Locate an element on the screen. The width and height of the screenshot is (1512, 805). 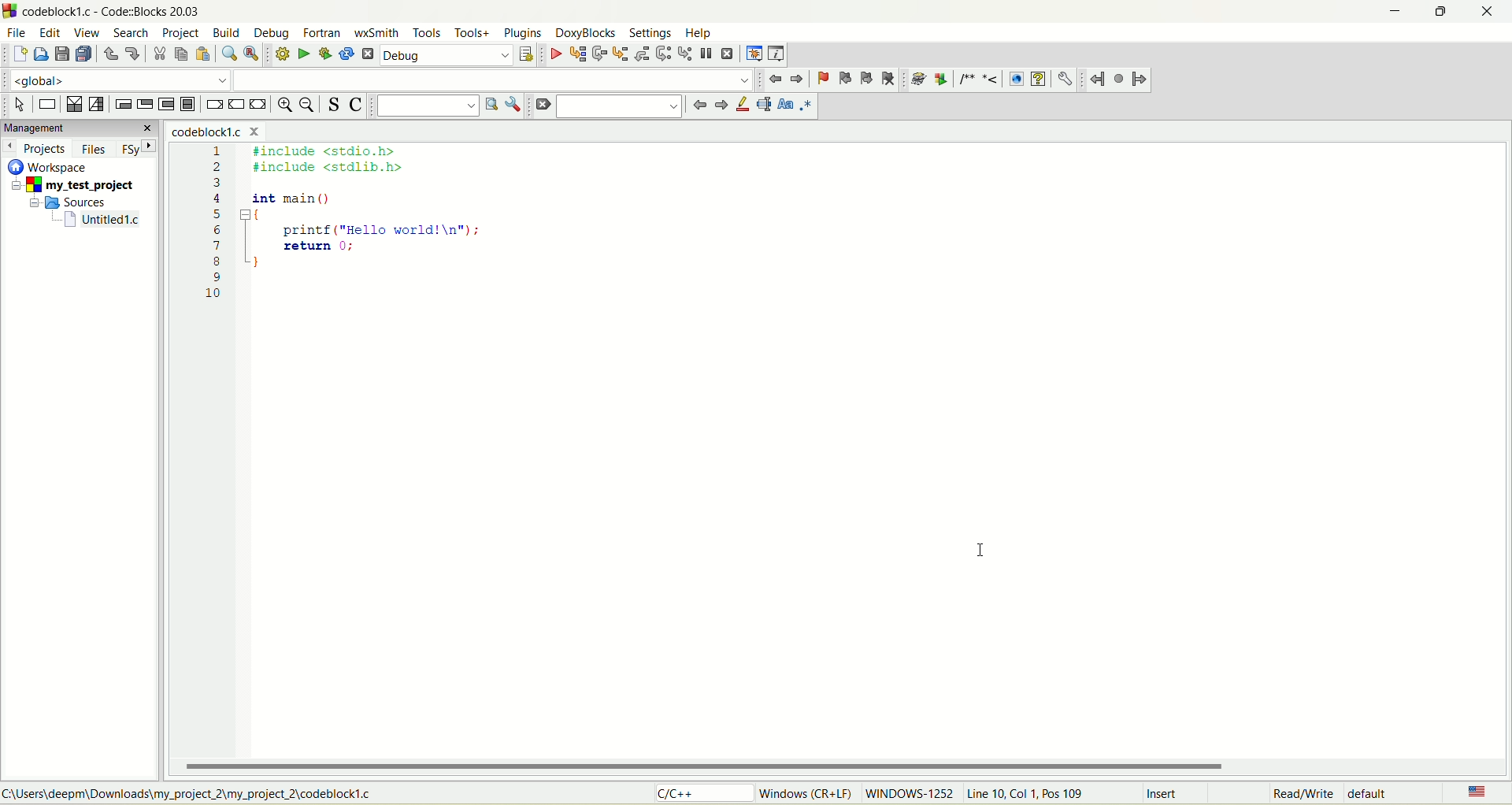
clear bookmark is located at coordinates (890, 78).